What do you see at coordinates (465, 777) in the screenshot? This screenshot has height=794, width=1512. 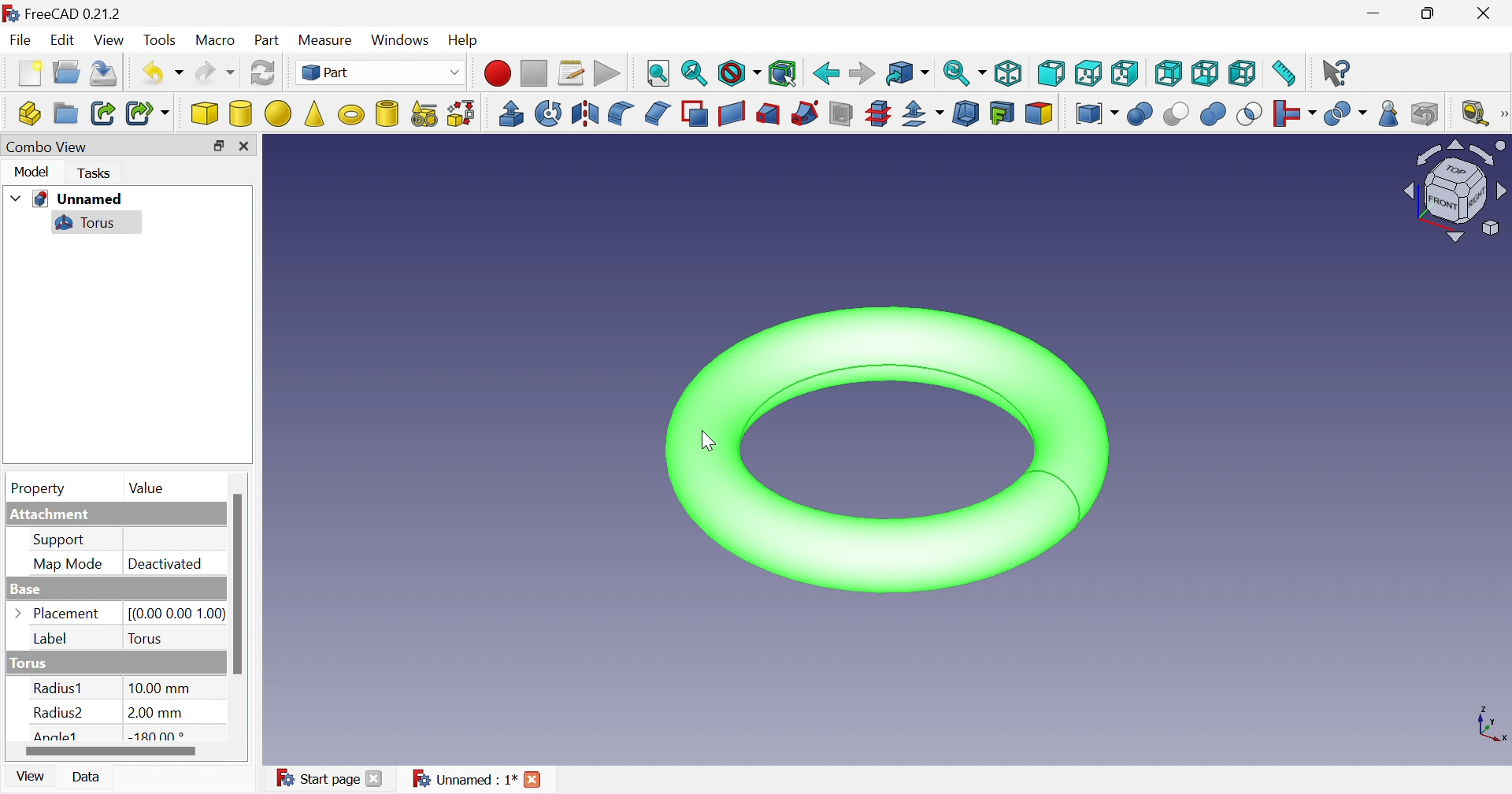 I see `Unnamed : 1*` at bounding box center [465, 777].